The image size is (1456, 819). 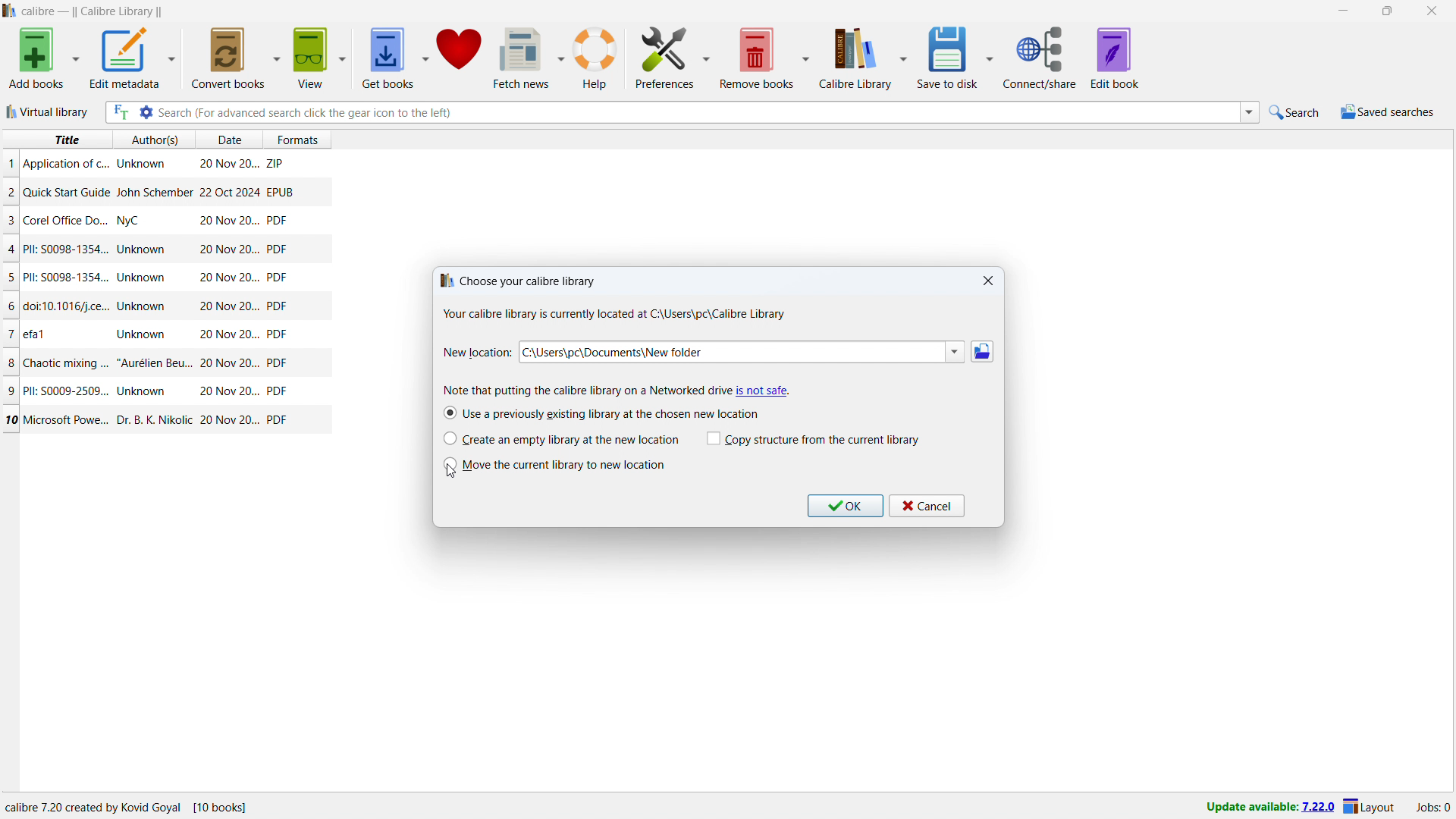 I want to click on PDF, so click(x=277, y=306).